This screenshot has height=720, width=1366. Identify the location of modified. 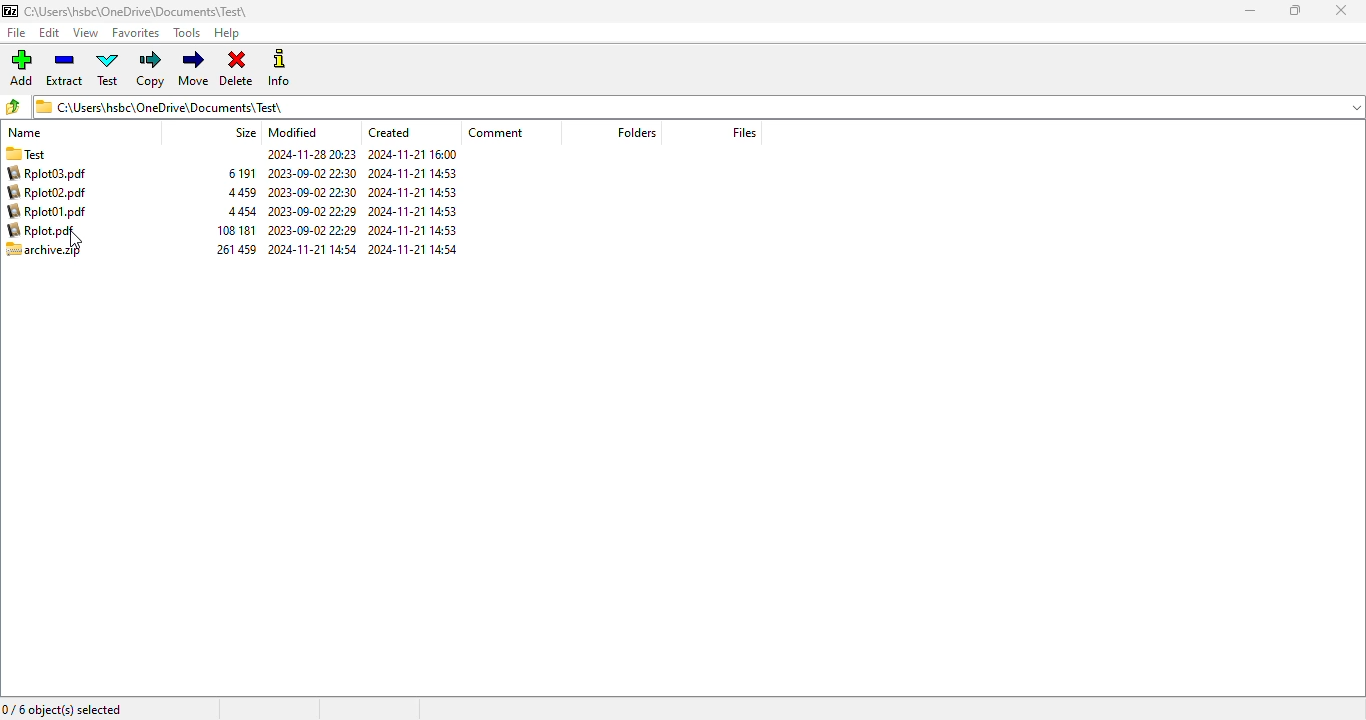
(293, 132).